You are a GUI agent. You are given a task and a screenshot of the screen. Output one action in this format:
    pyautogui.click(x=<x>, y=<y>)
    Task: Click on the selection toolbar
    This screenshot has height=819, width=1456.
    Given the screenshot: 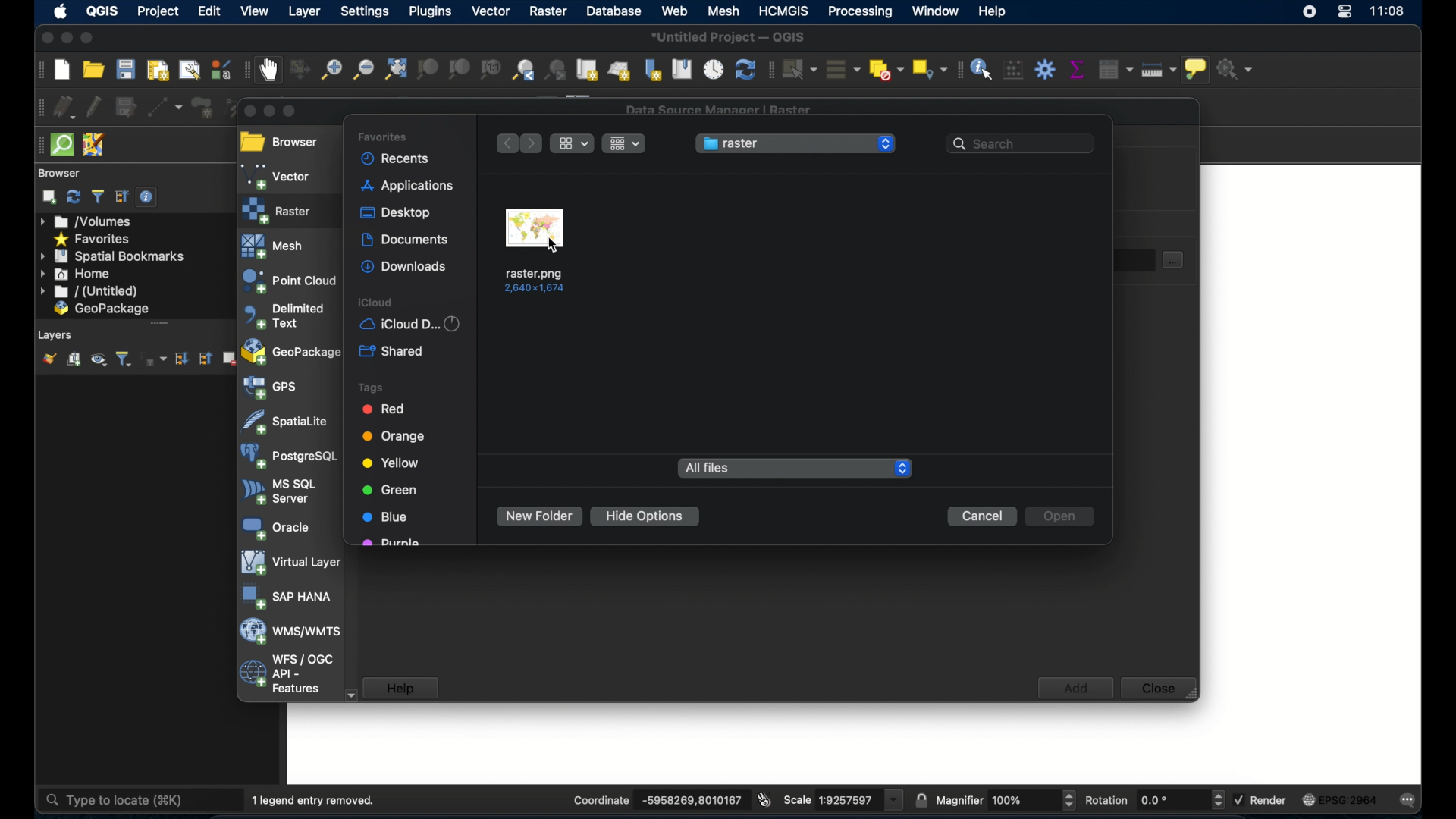 What is the action you would take?
    pyautogui.click(x=770, y=69)
    